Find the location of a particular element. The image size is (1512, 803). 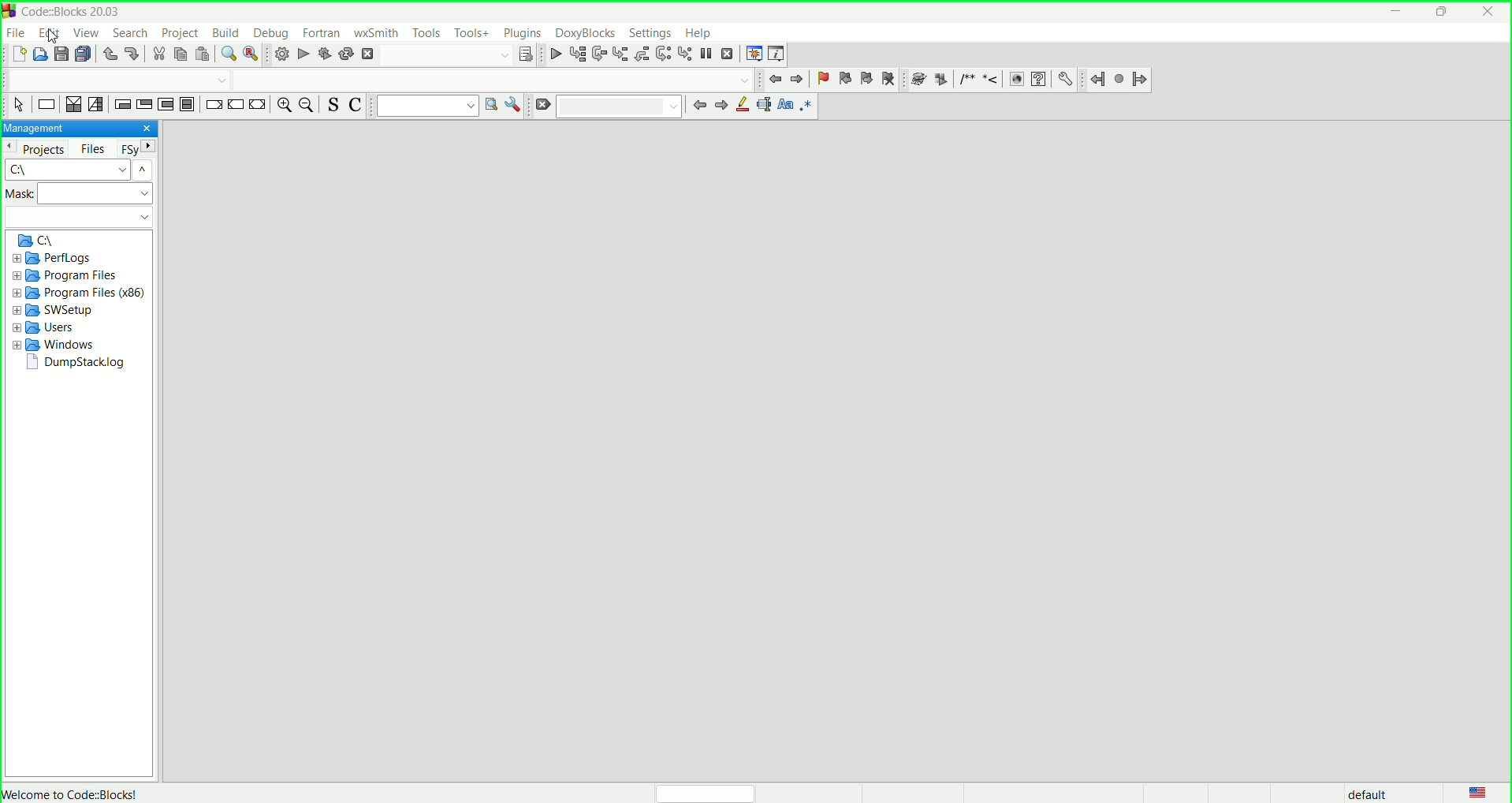

debugging window is located at coordinates (754, 54).